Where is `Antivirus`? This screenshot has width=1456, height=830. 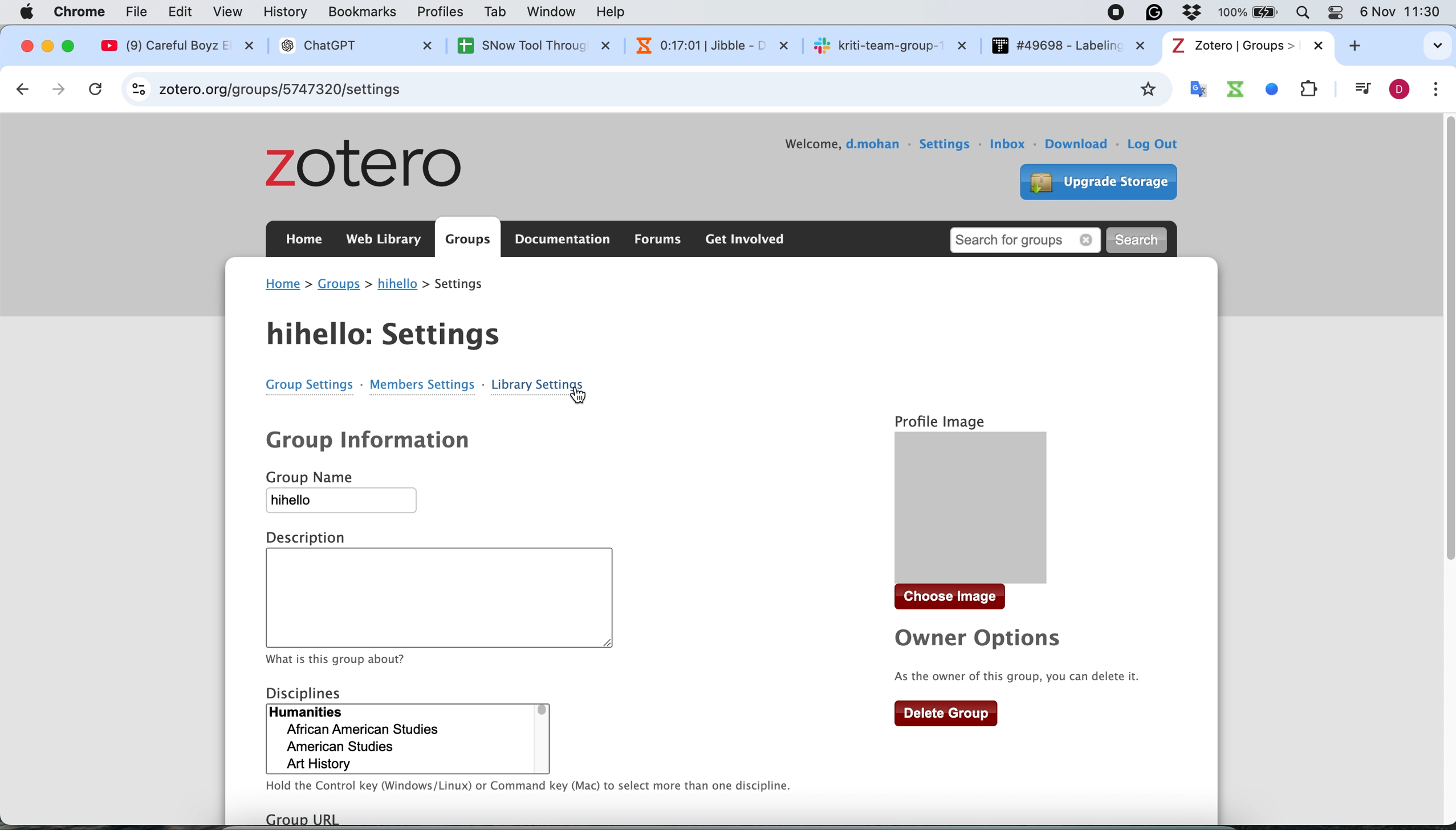 Antivirus is located at coordinates (1197, 11).